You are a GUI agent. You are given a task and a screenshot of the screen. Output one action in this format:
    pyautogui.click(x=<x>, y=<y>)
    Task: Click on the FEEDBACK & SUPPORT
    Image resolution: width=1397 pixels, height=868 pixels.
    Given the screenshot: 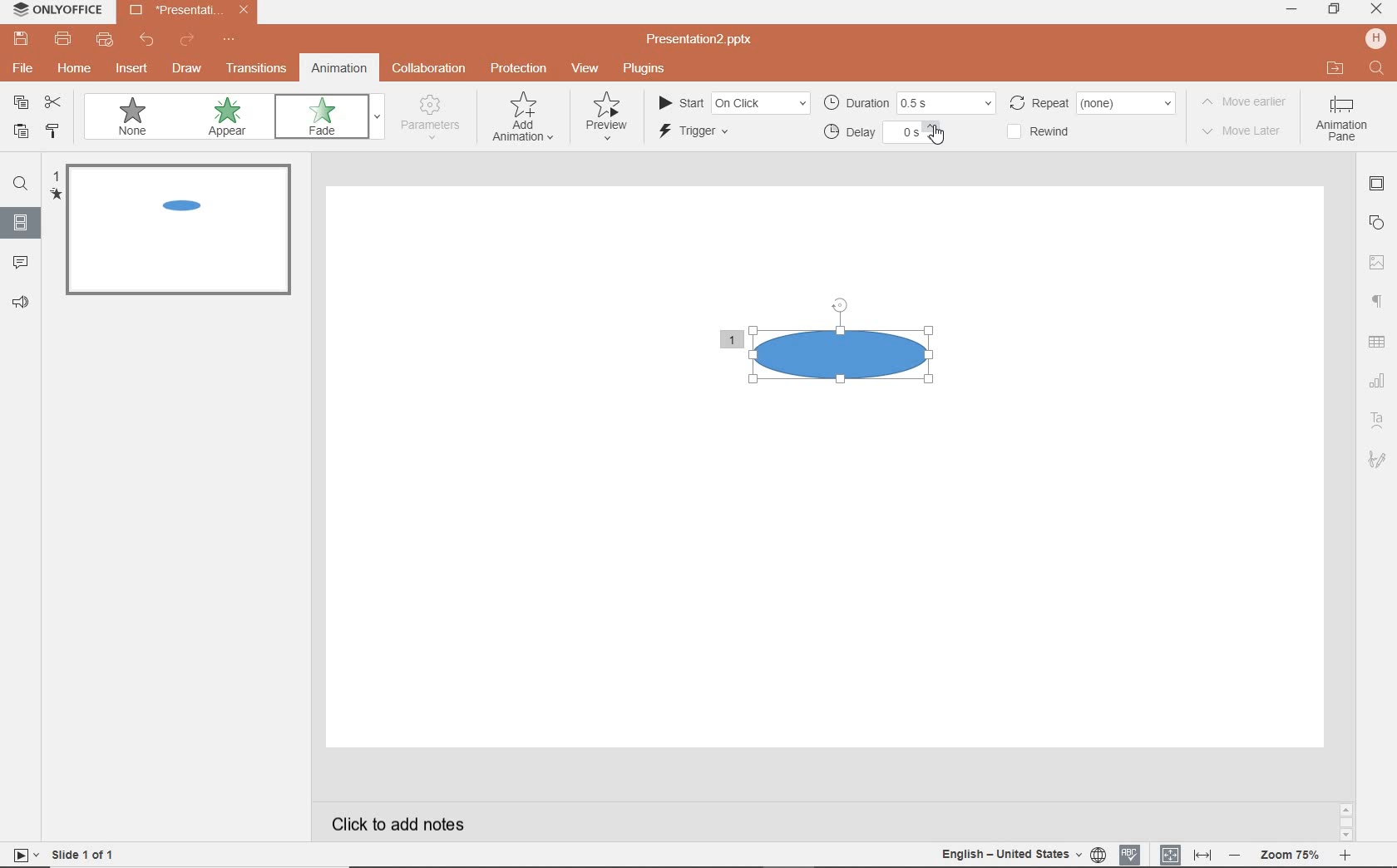 What is the action you would take?
    pyautogui.click(x=20, y=303)
    